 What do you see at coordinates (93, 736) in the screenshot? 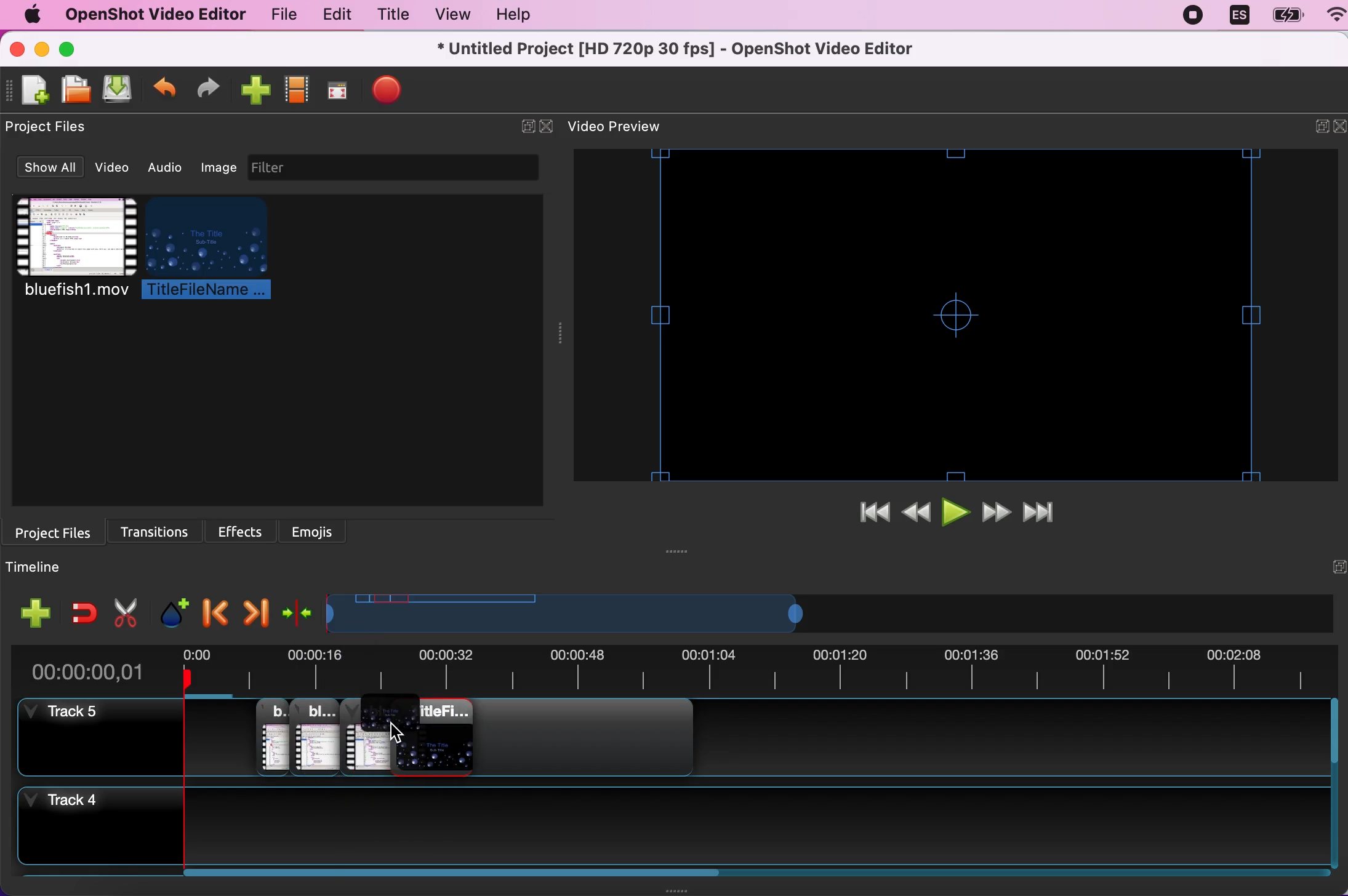
I see `track 5` at bounding box center [93, 736].